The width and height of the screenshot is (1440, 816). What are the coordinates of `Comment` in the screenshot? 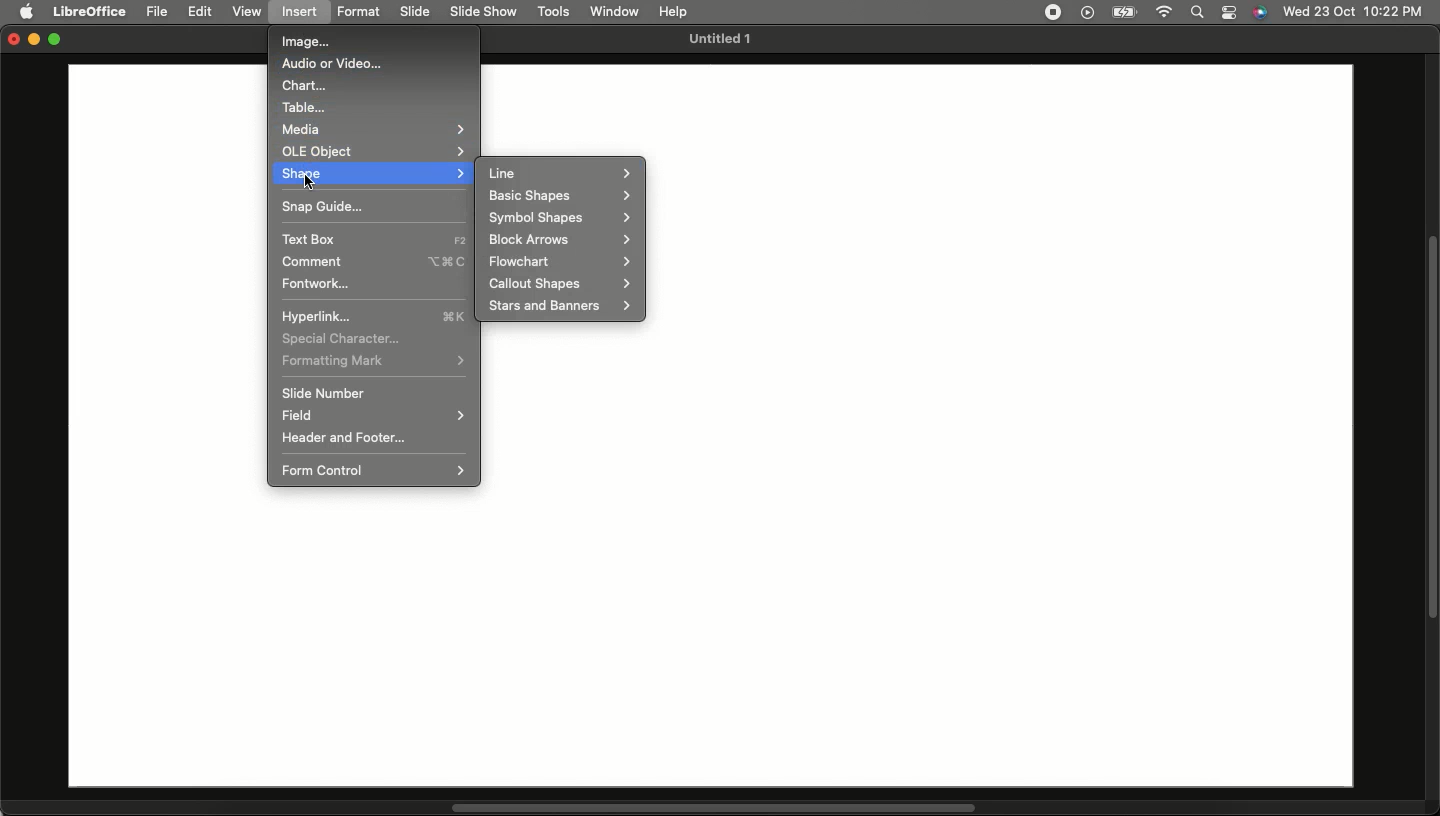 It's located at (377, 261).